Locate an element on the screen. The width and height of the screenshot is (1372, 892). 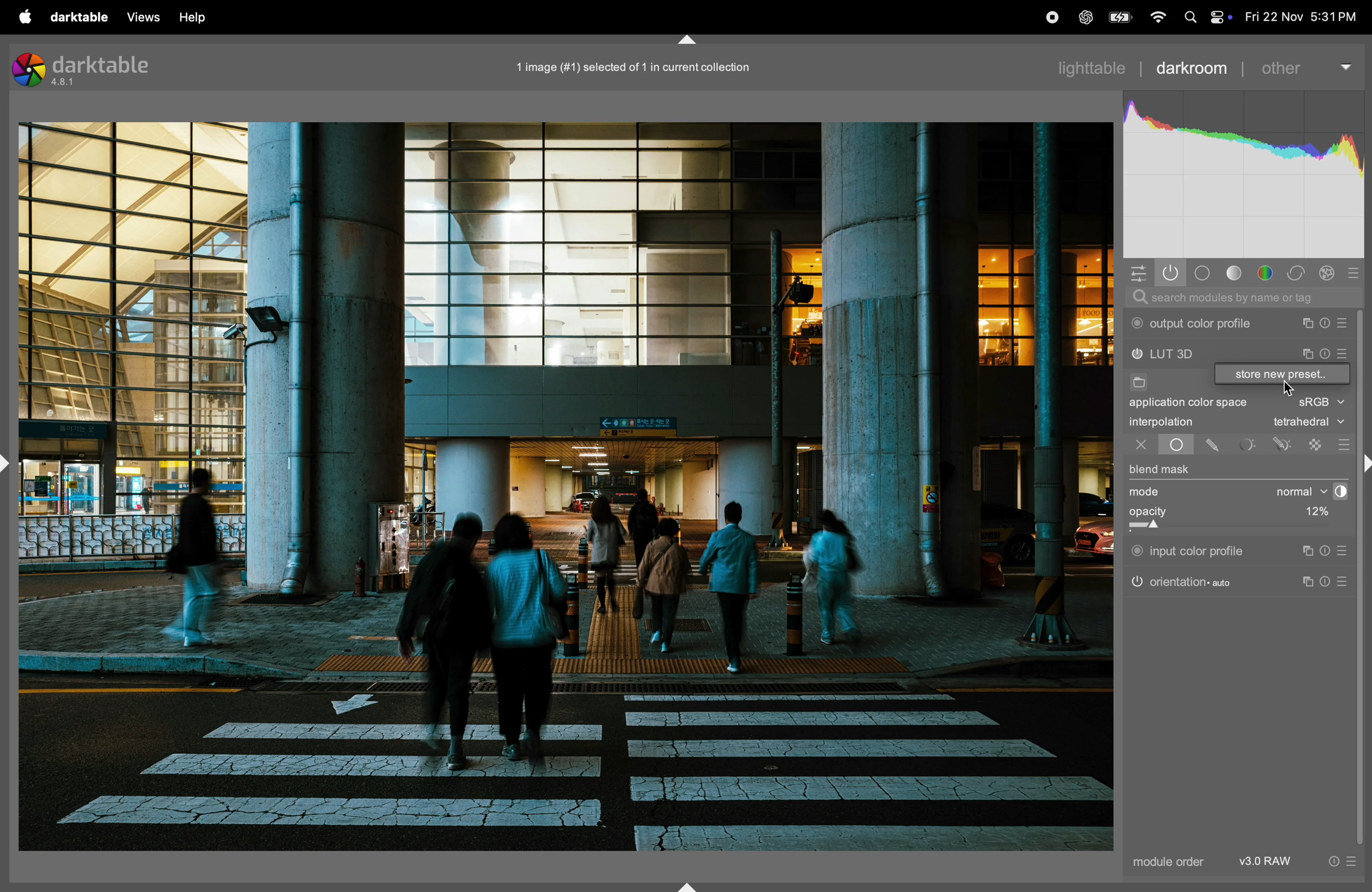
file is located at coordinates (1137, 384).